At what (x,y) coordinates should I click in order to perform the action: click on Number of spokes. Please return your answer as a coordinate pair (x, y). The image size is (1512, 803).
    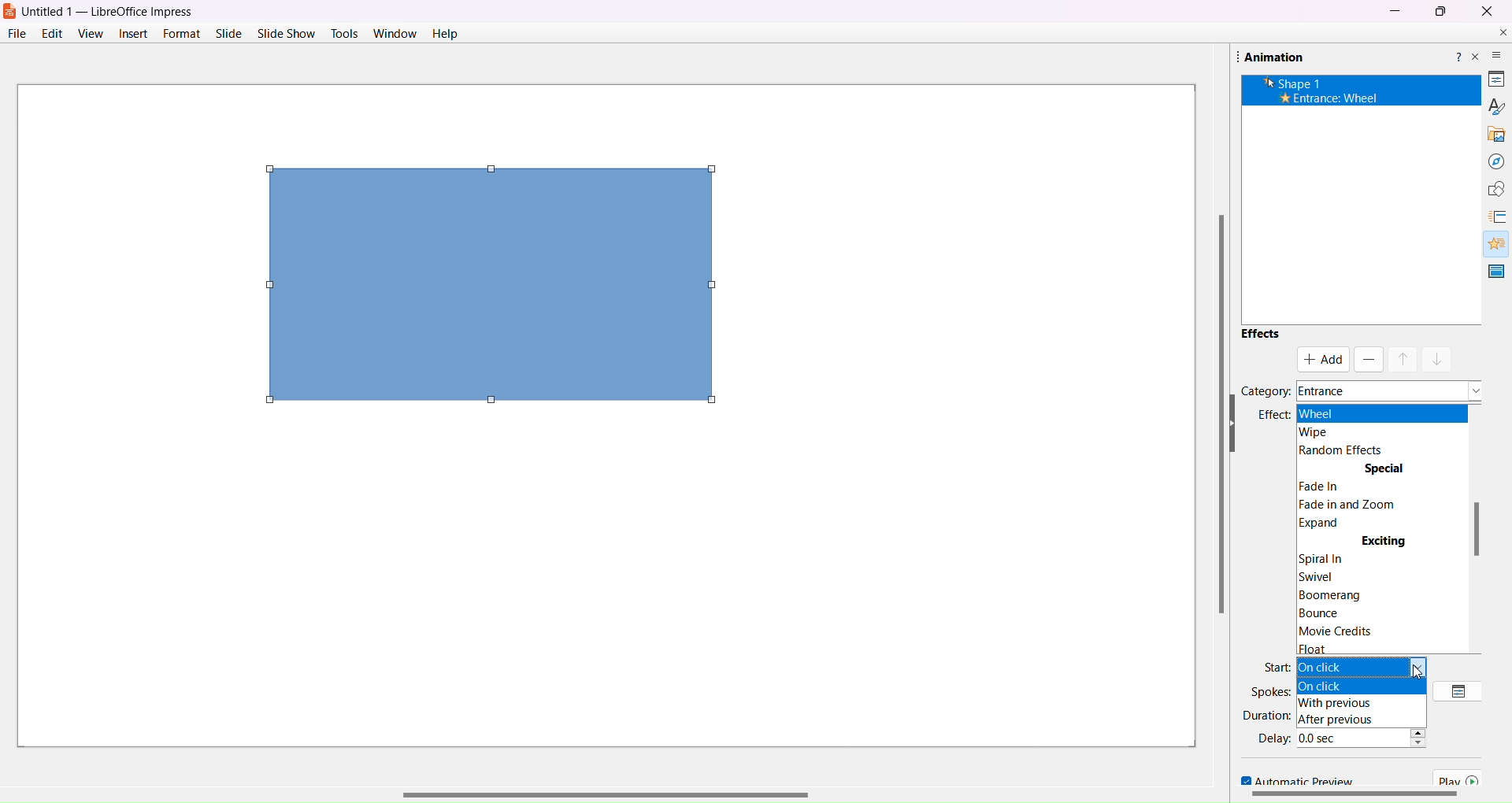
    Looking at the image, I should click on (1362, 692).